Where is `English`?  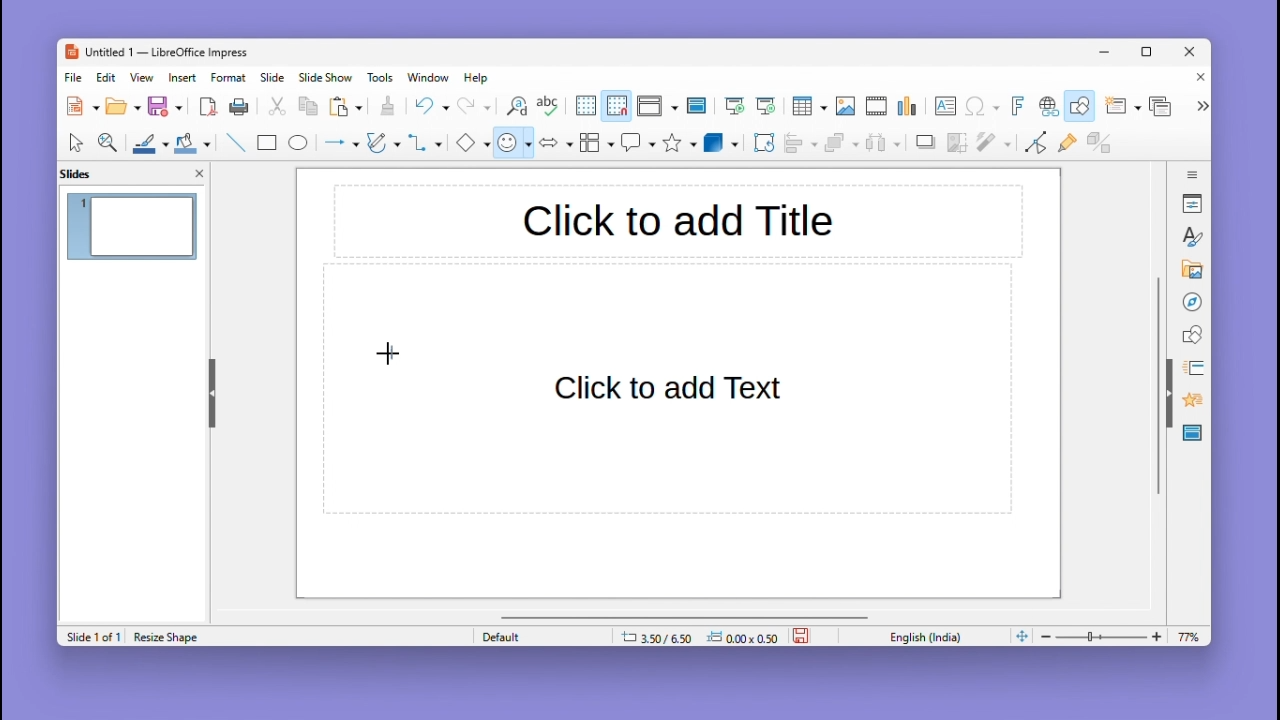
English is located at coordinates (930, 636).